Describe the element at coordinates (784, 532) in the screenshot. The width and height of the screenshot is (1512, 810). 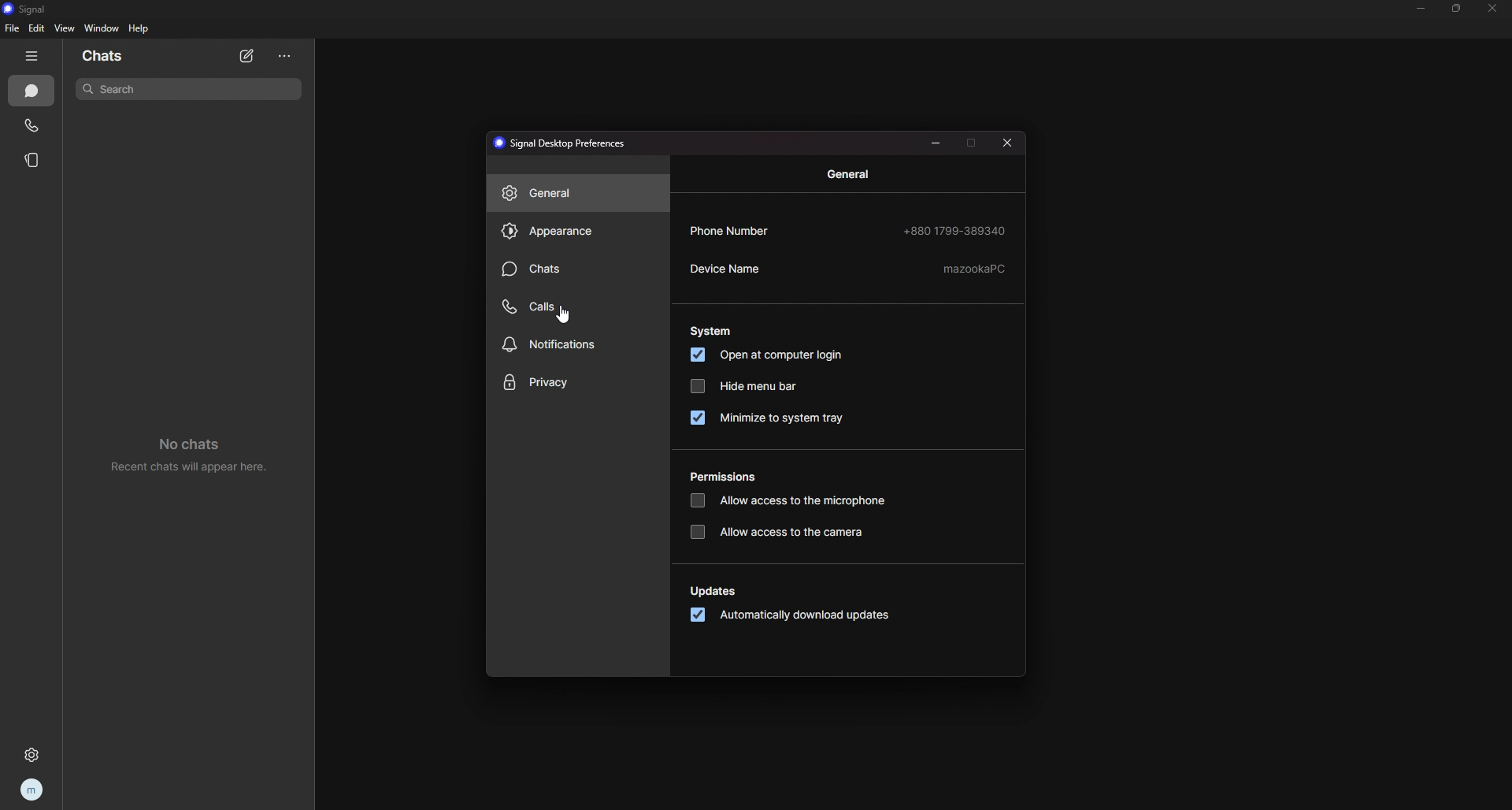
I see `allow access to camera` at that location.